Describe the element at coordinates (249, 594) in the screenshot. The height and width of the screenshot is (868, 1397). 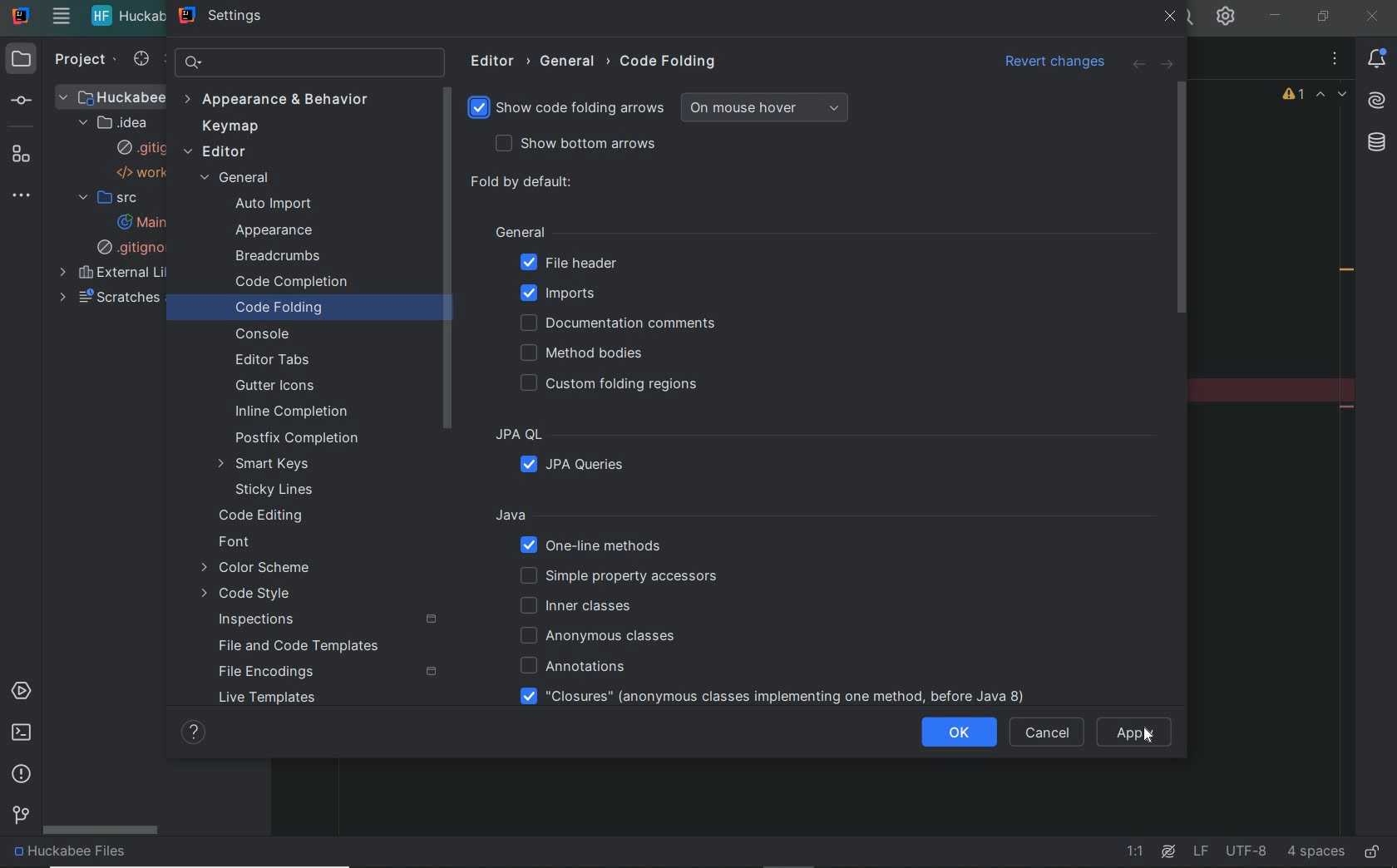
I see `code style` at that location.